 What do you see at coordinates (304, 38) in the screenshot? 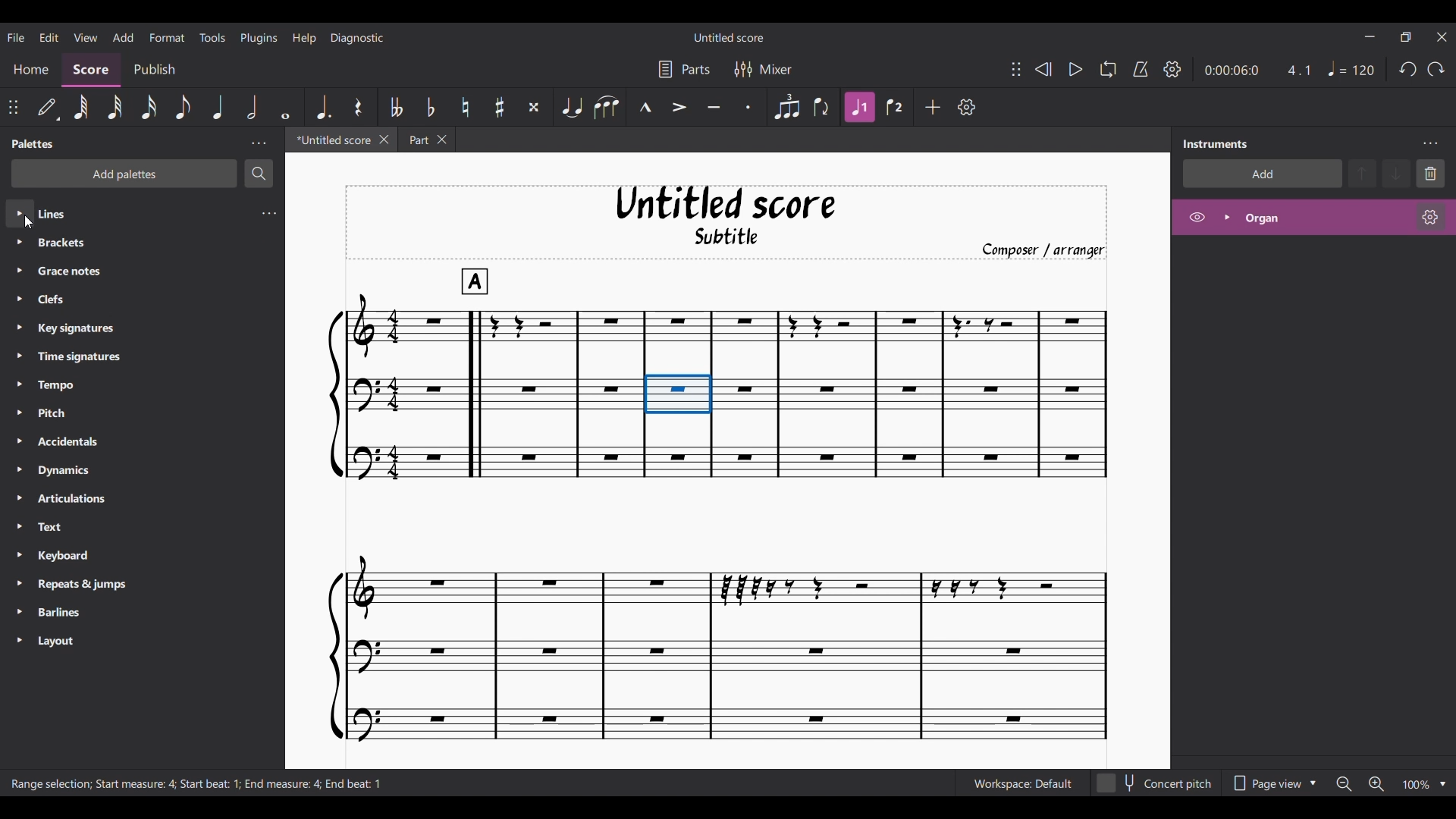
I see `Help menu` at bounding box center [304, 38].